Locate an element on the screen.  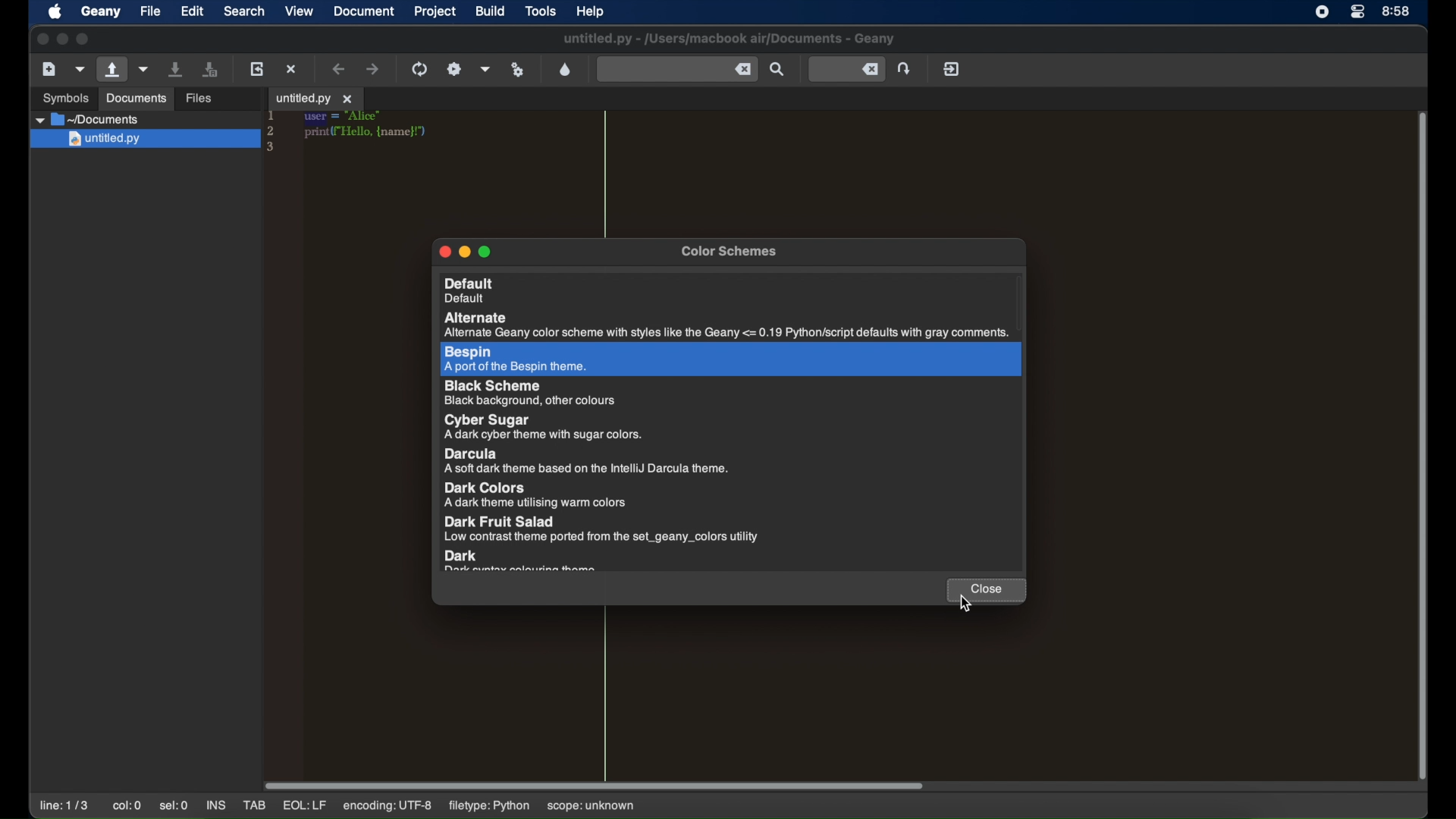
view is located at coordinates (300, 11).